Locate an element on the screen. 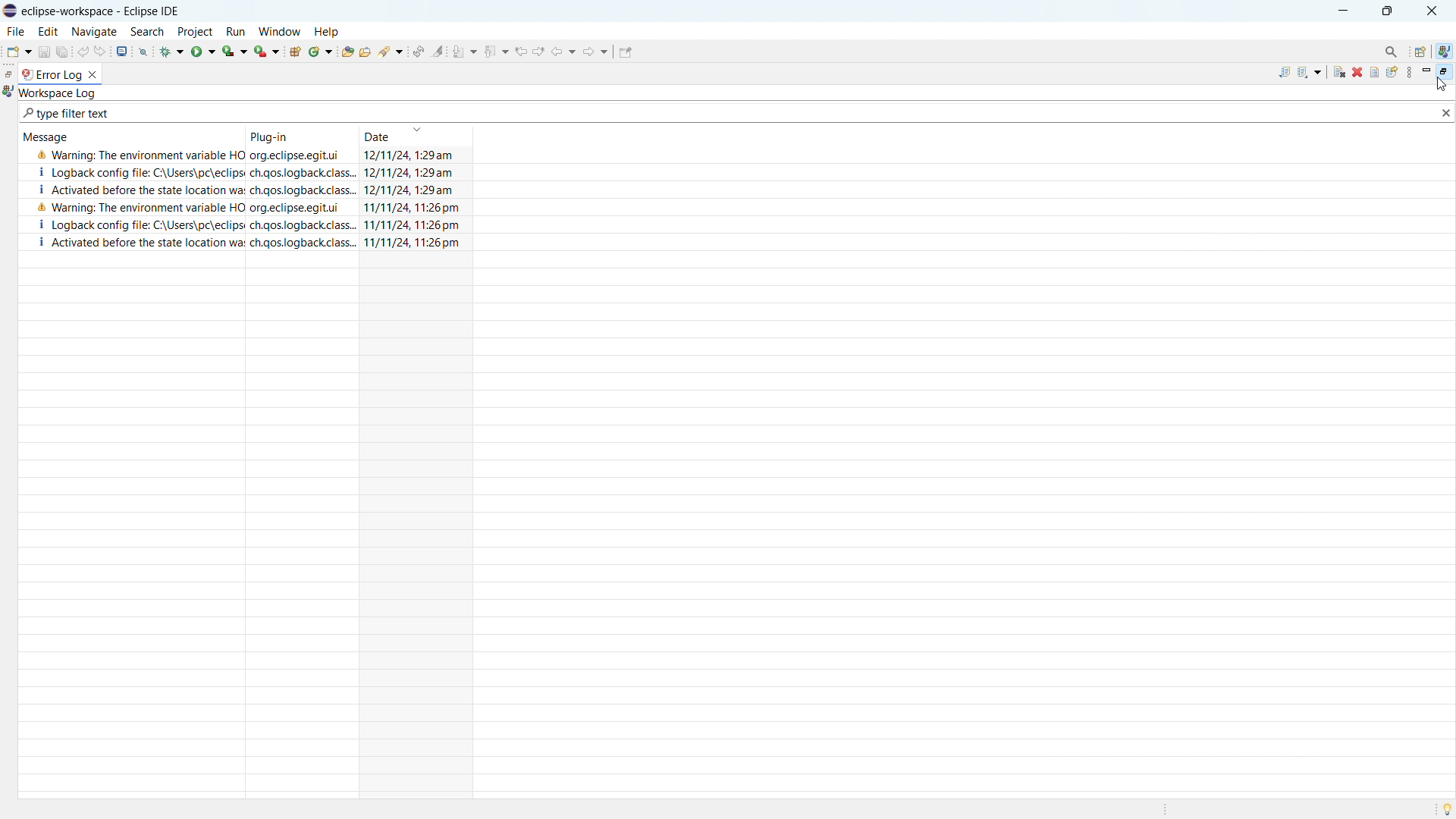 The image size is (1456, 819). export log is located at coordinates (1280, 73).